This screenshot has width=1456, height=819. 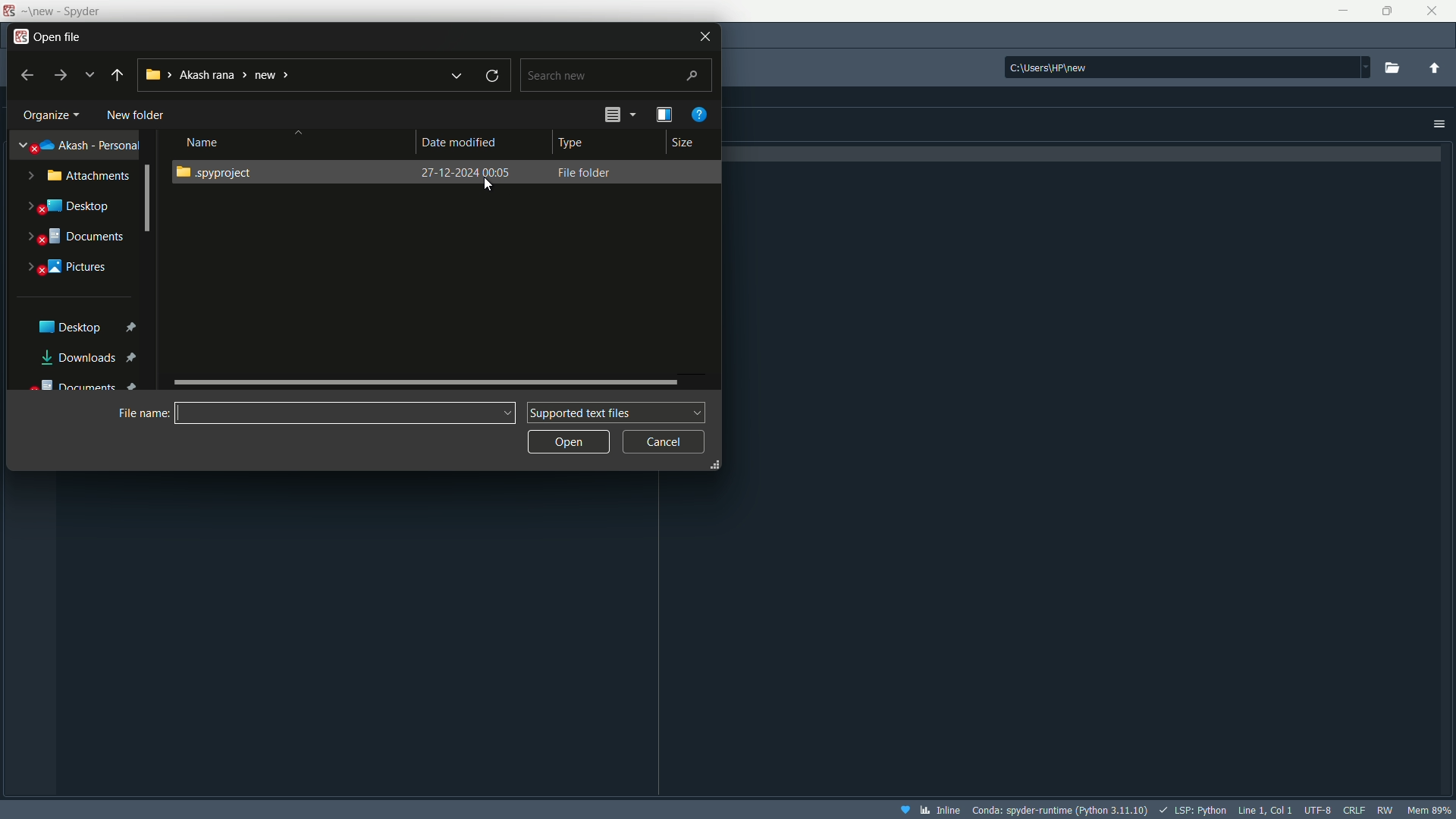 I want to click on search bar, so click(x=615, y=75).